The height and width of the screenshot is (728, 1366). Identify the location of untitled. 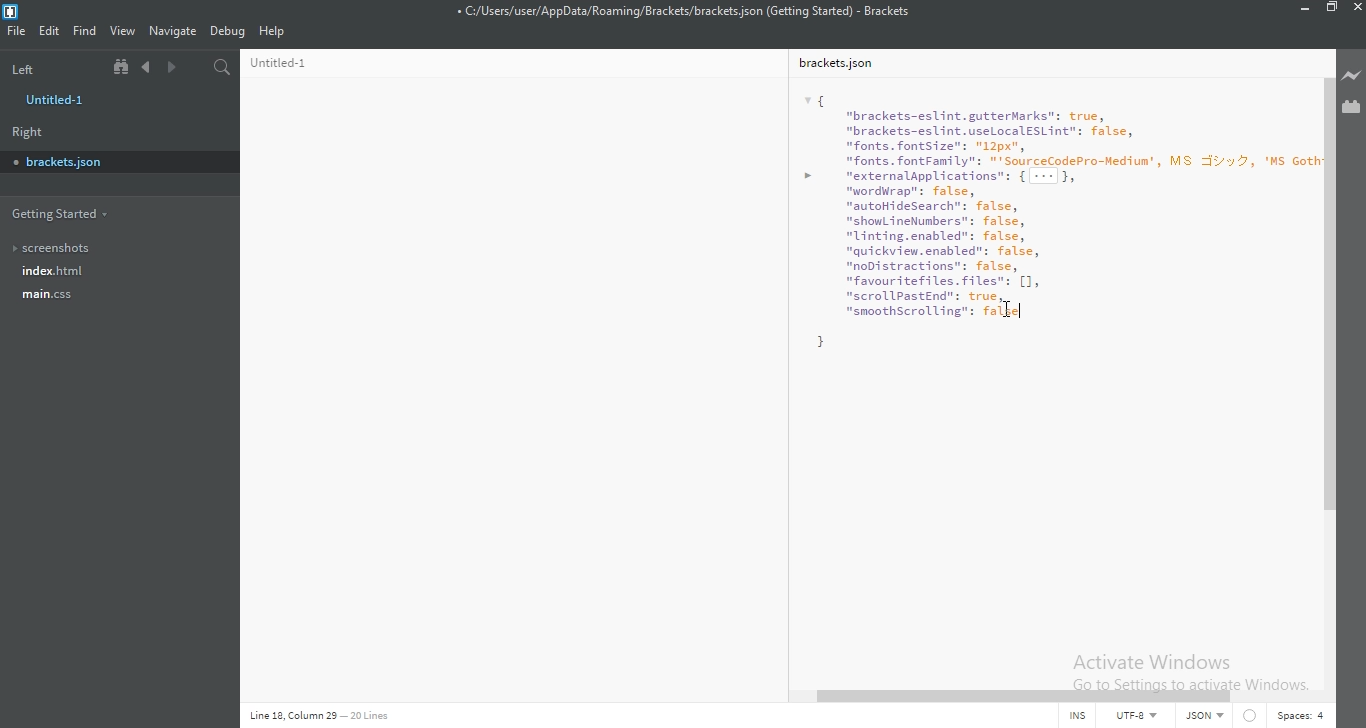
(59, 100).